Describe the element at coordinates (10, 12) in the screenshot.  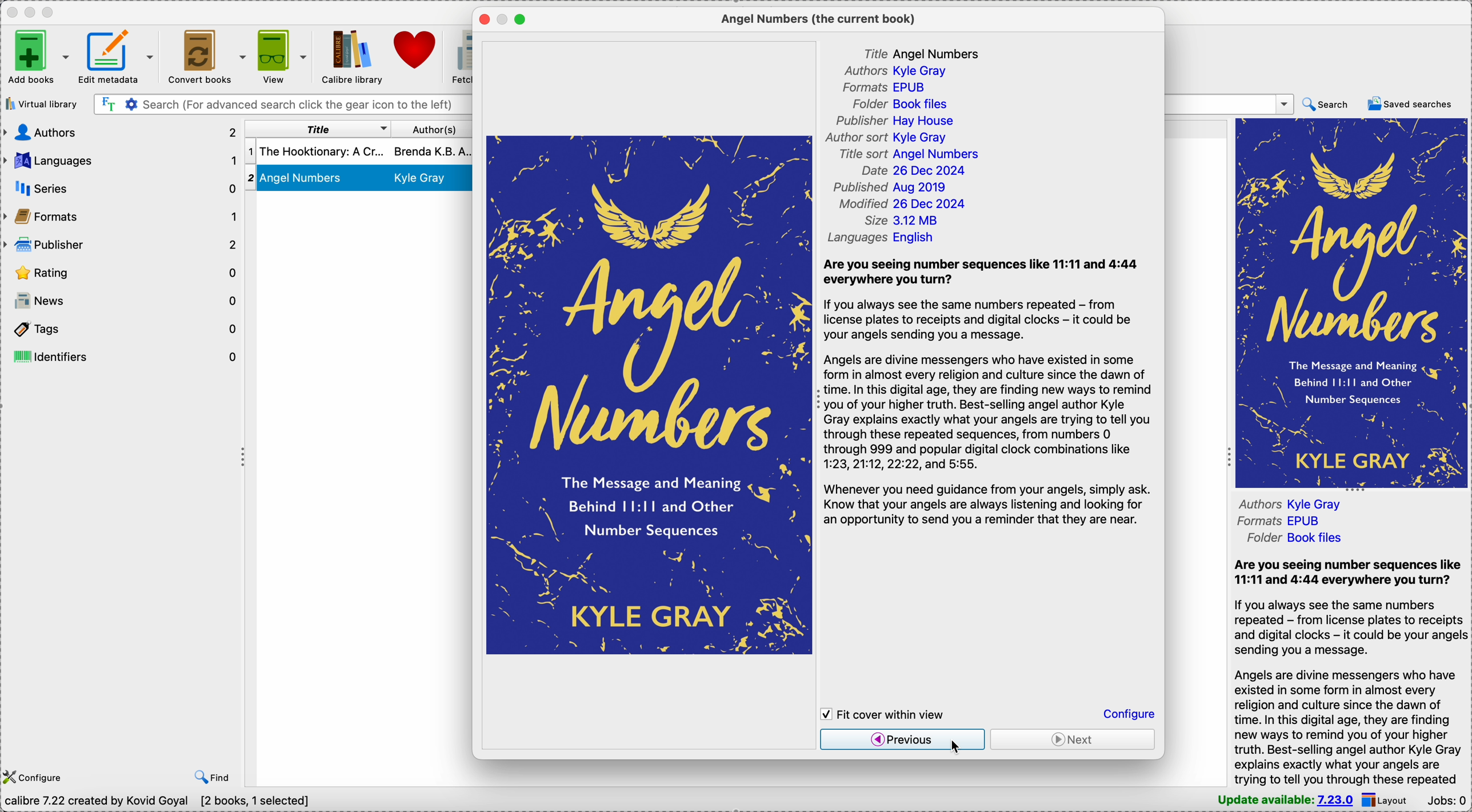
I see `close Calibre` at that location.